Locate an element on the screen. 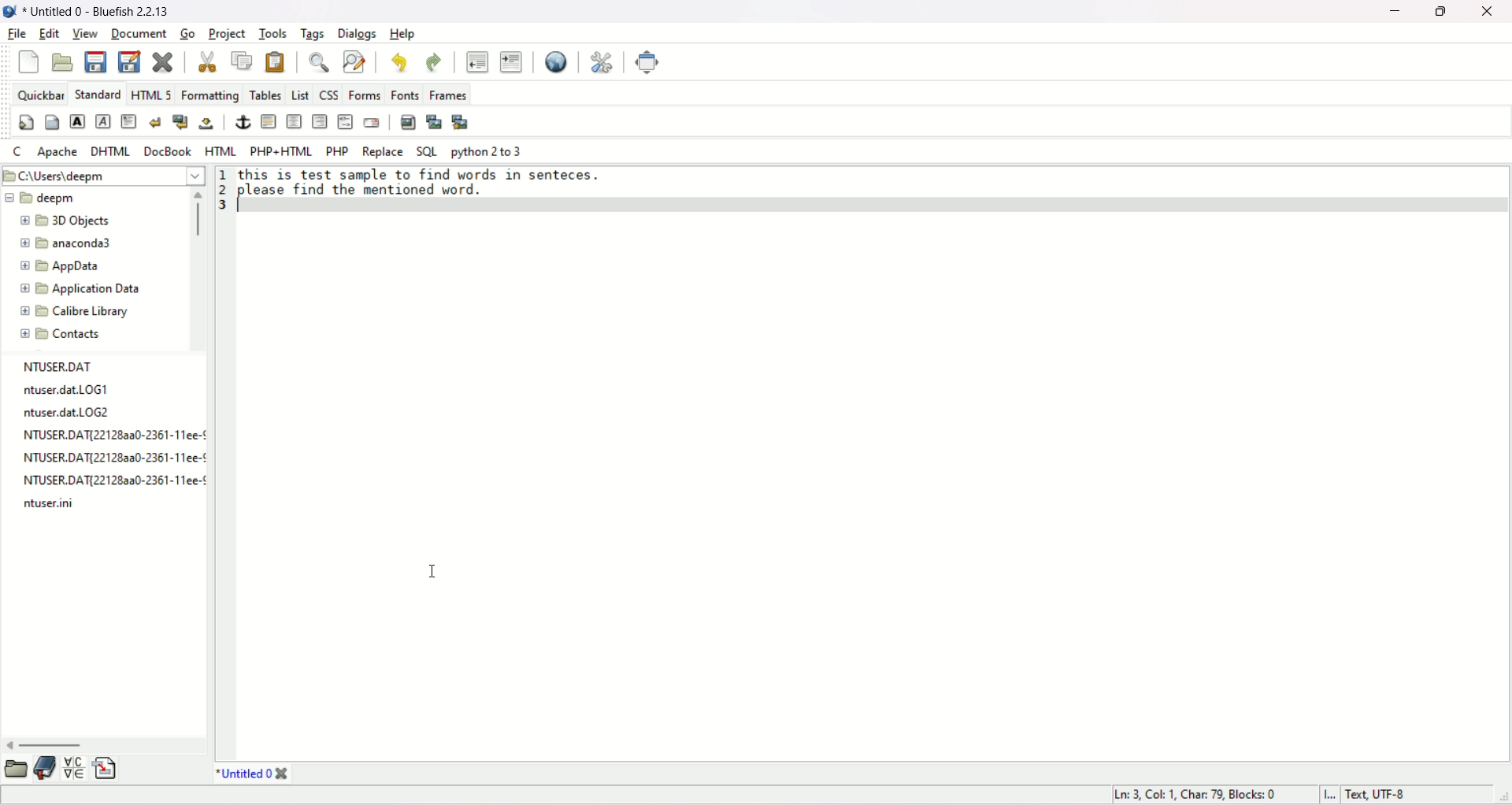  email is located at coordinates (370, 121).